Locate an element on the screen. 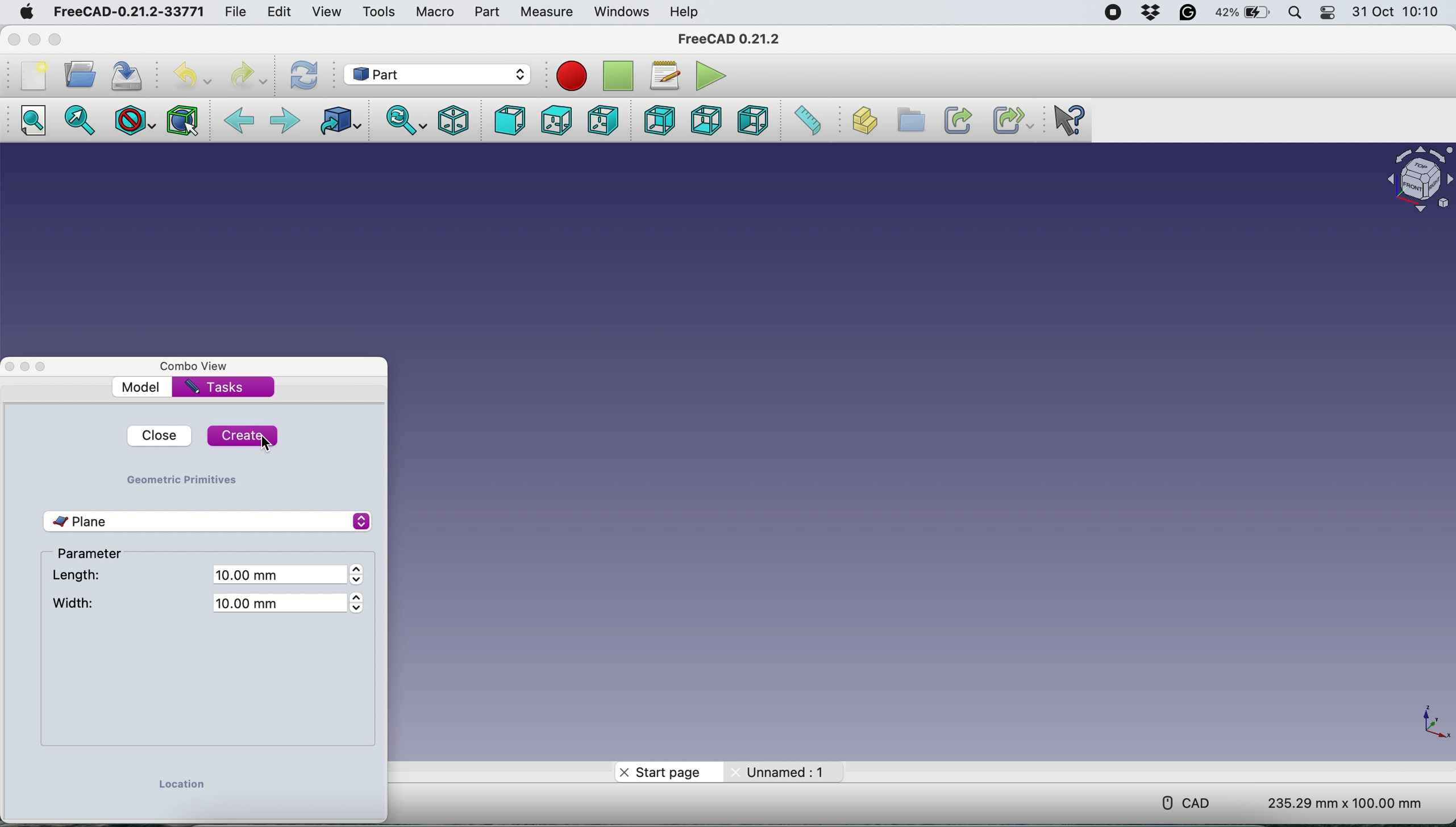  xy coordinates is located at coordinates (1430, 722).